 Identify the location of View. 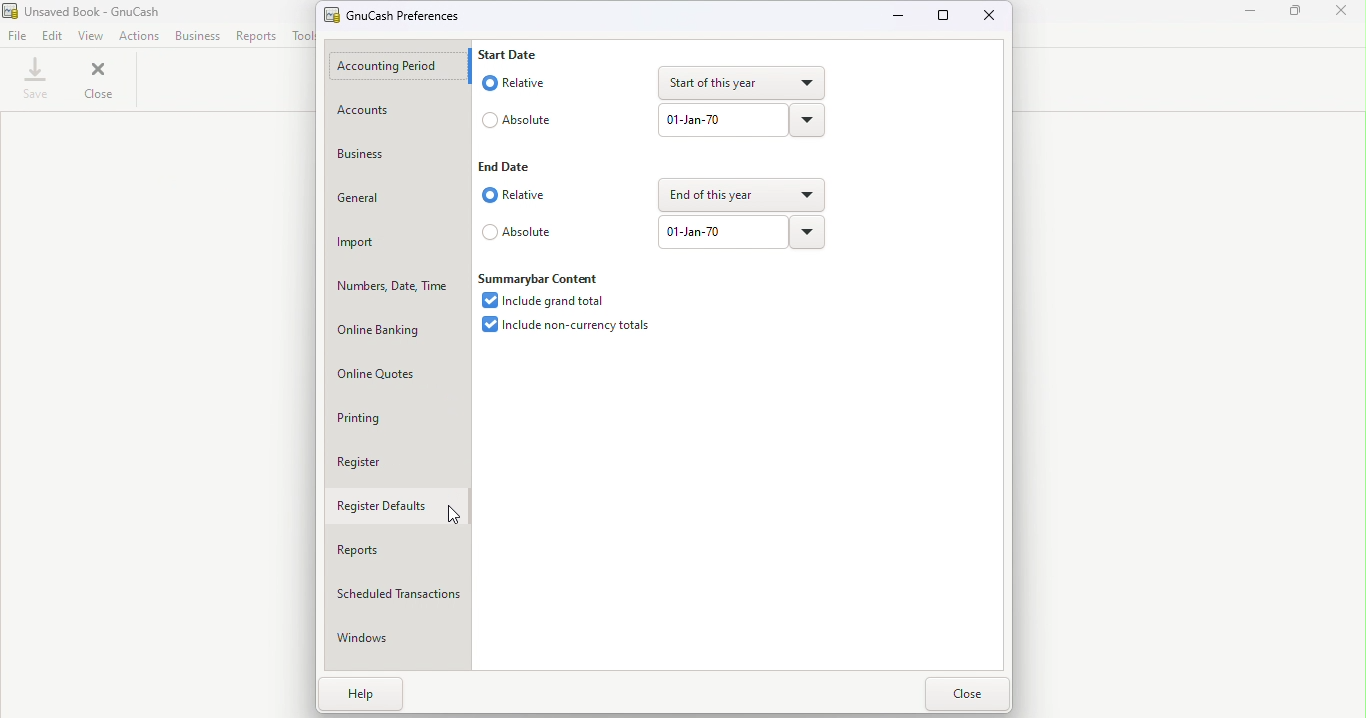
(92, 36).